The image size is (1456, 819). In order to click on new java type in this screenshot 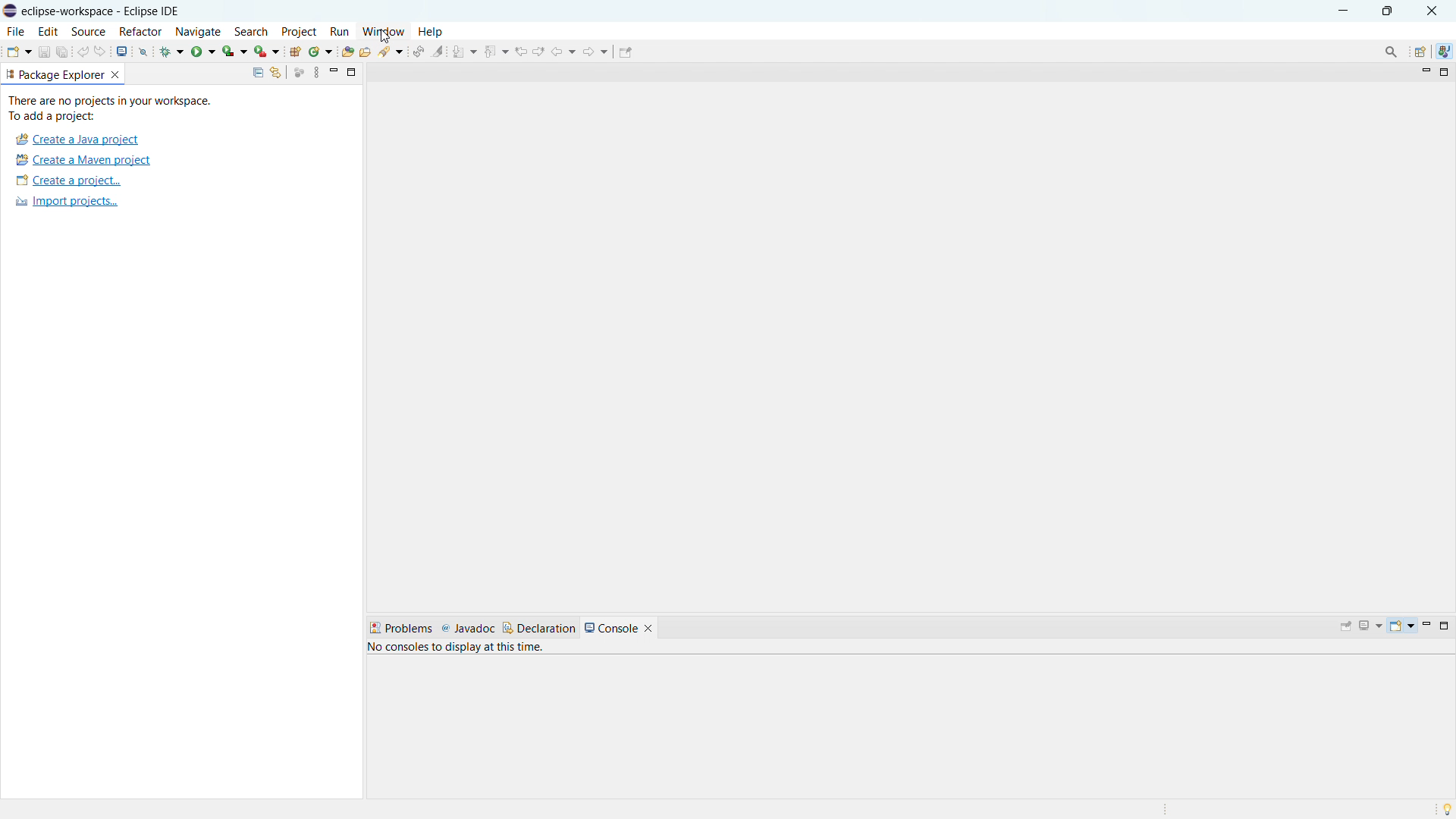, I will do `click(295, 52)`.